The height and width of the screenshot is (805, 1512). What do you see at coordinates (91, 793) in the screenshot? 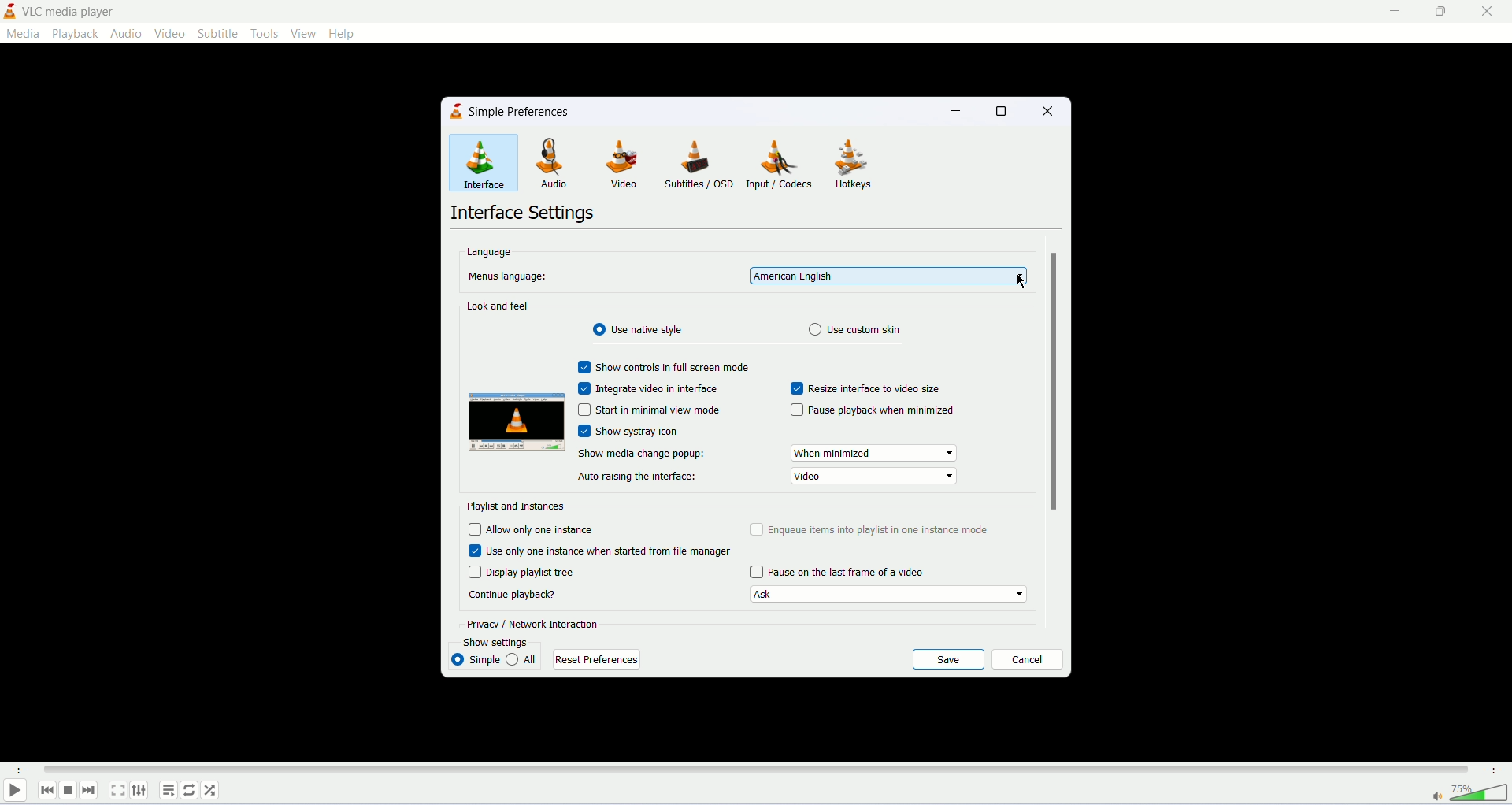
I see `next` at bounding box center [91, 793].